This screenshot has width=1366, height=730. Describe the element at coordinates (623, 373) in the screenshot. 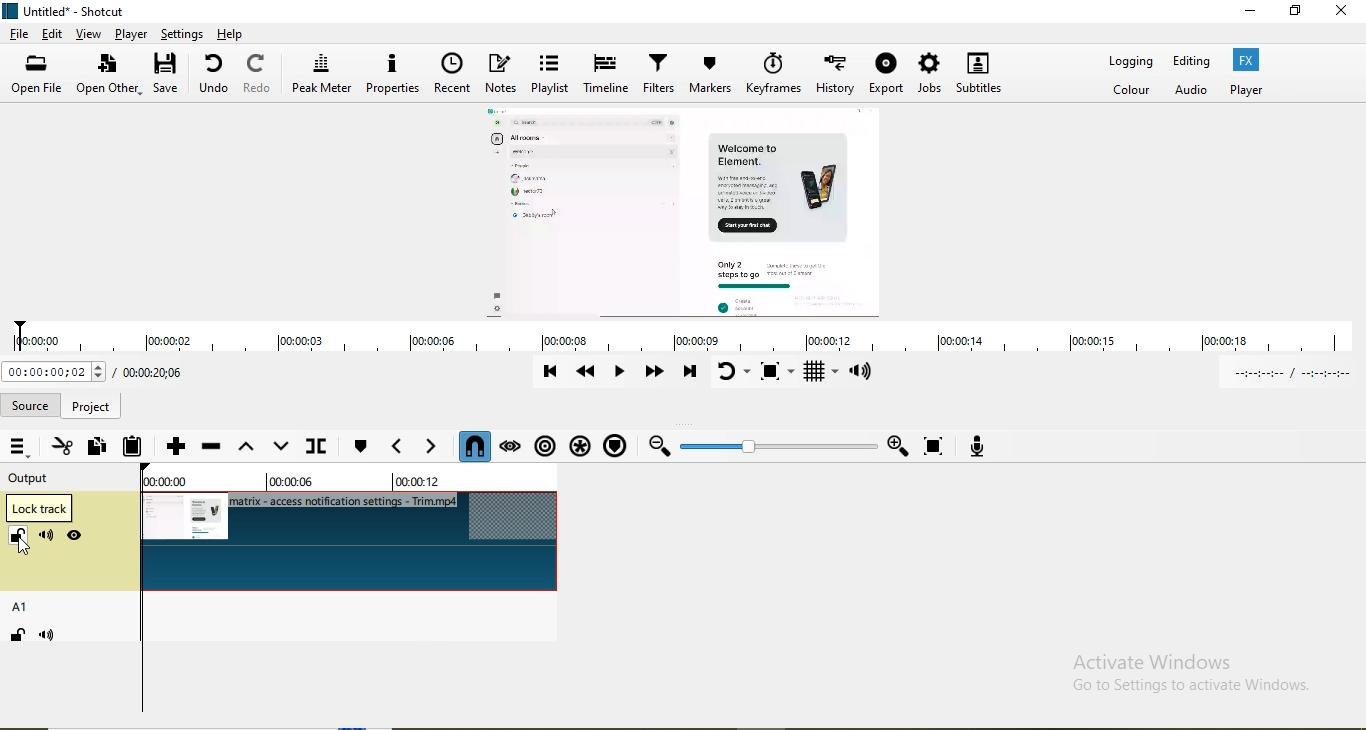

I see `Toggle play or pause` at that location.